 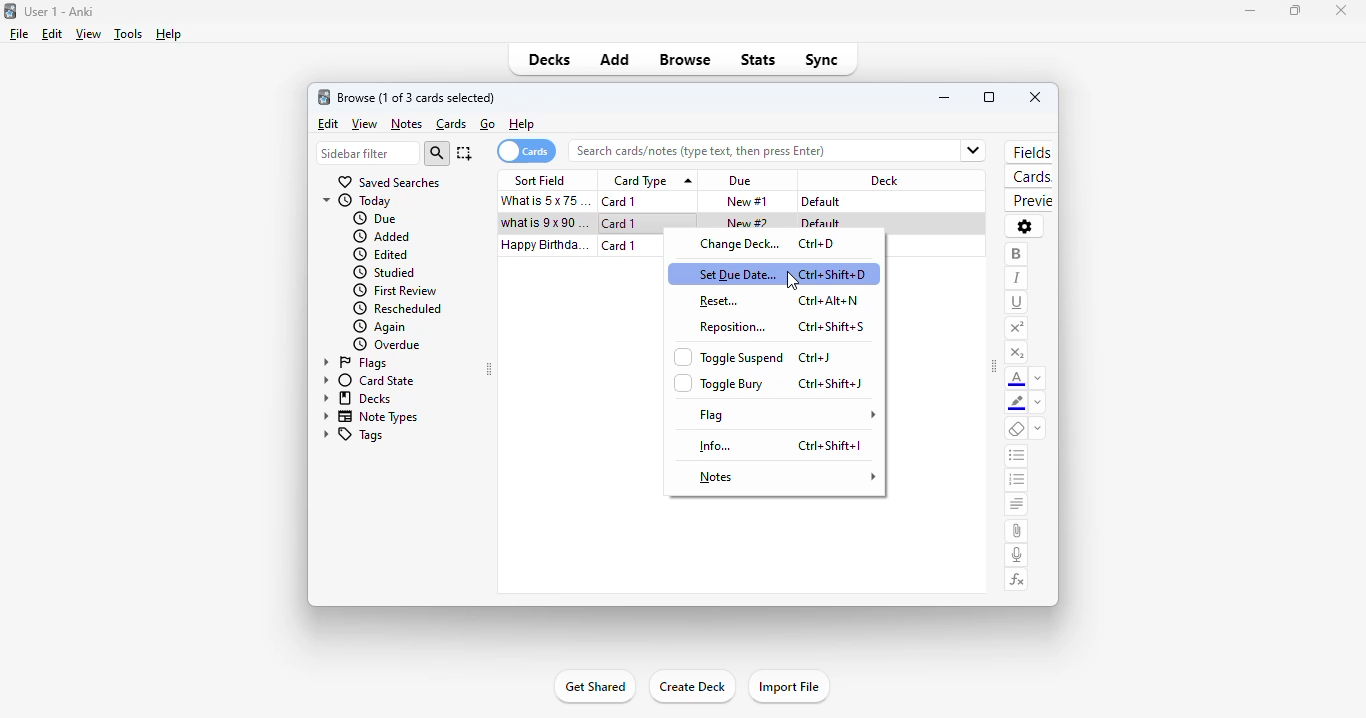 I want to click on text highlighting color, so click(x=1016, y=403).